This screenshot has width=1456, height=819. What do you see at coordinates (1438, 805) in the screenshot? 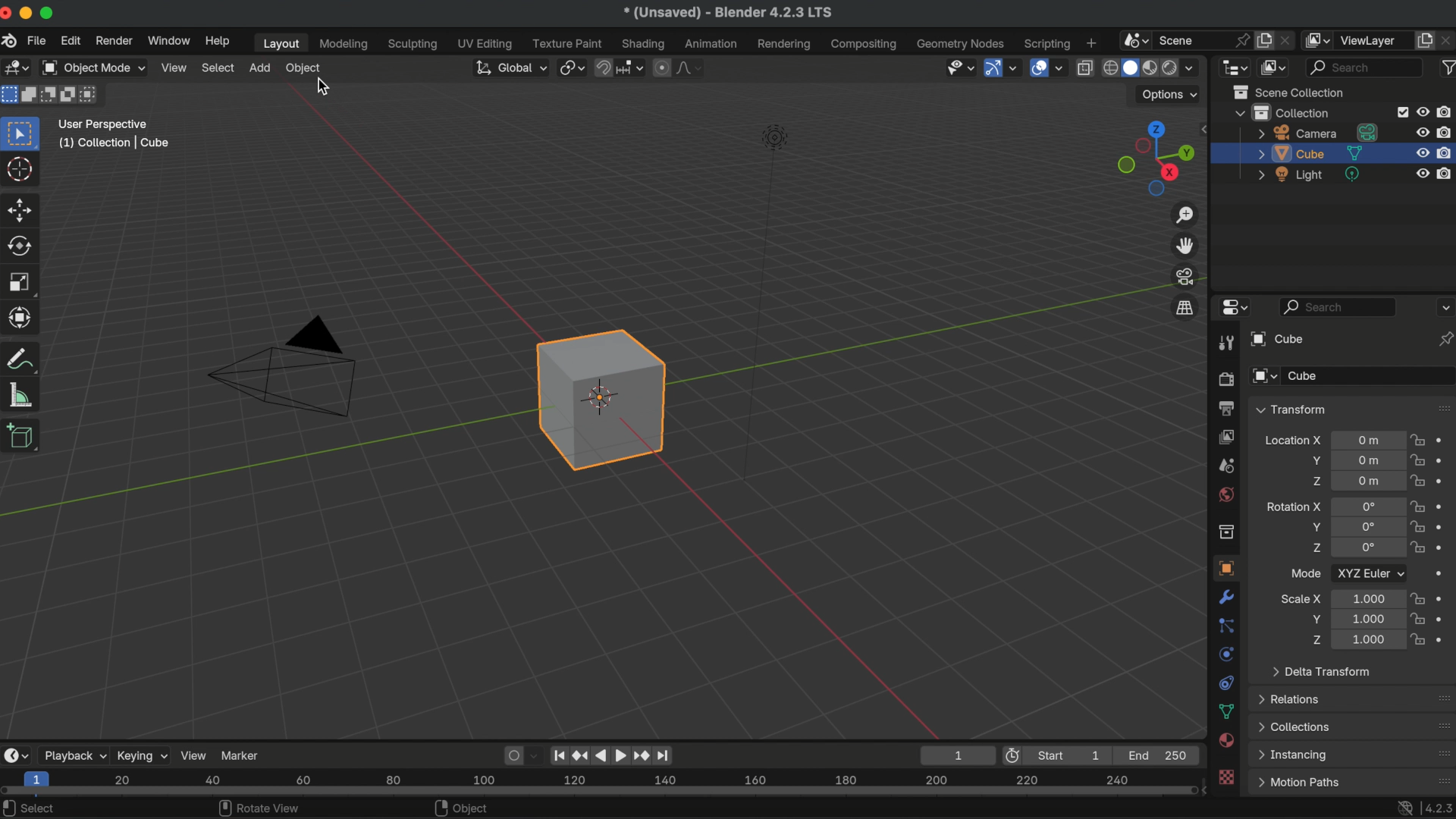
I see `4..2.3` at bounding box center [1438, 805].